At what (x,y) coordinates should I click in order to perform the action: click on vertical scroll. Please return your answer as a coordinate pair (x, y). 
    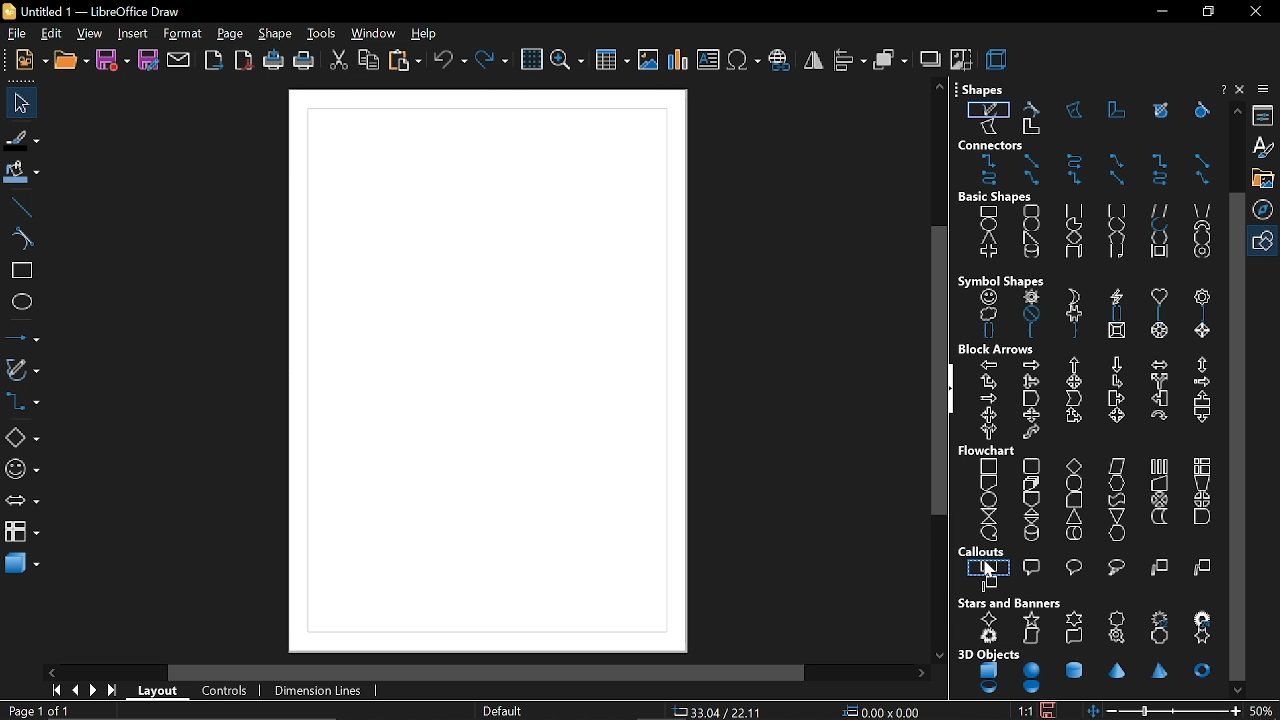
    Looking at the image, I should click on (1031, 637).